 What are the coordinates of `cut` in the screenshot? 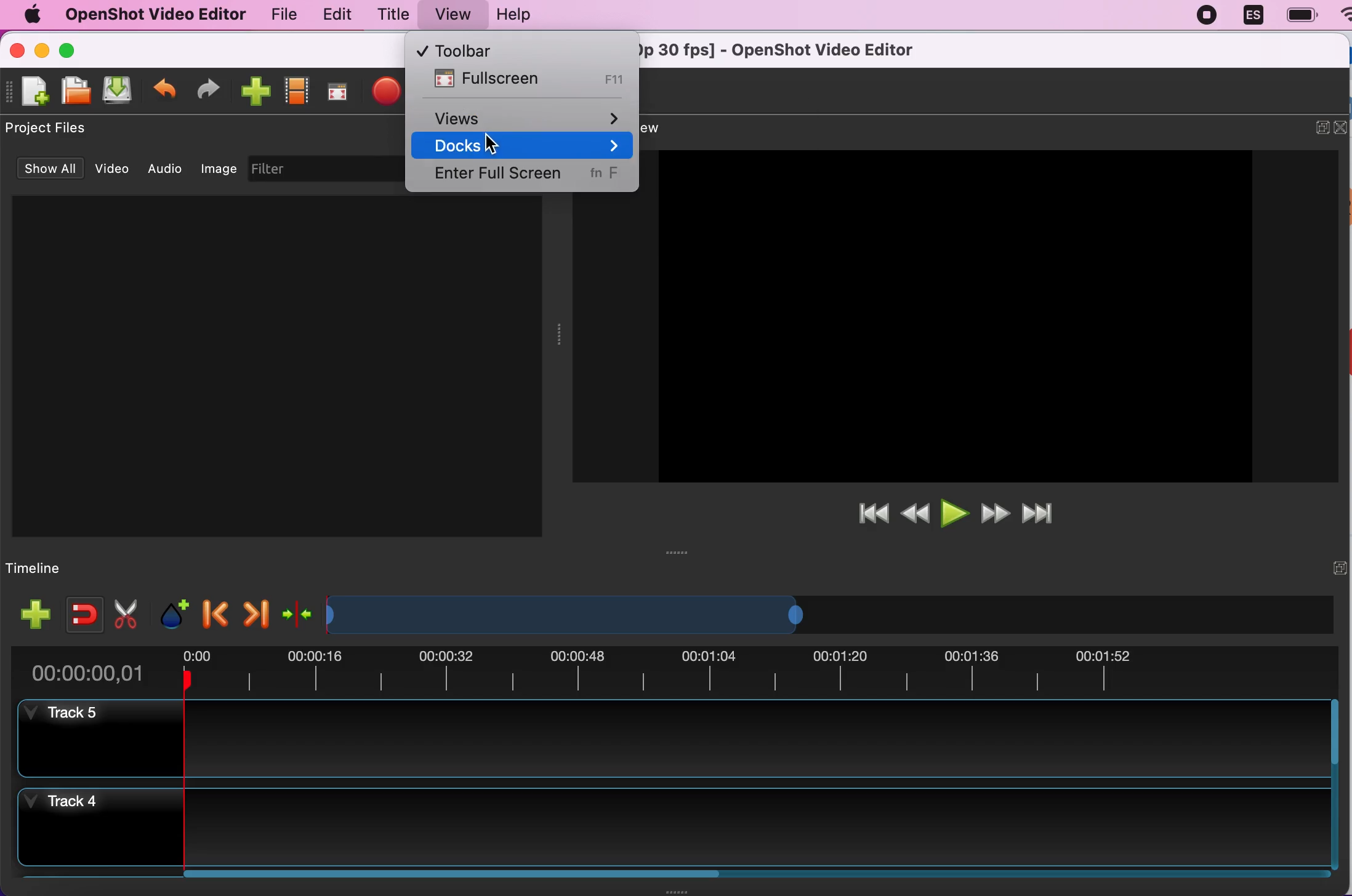 It's located at (126, 613).